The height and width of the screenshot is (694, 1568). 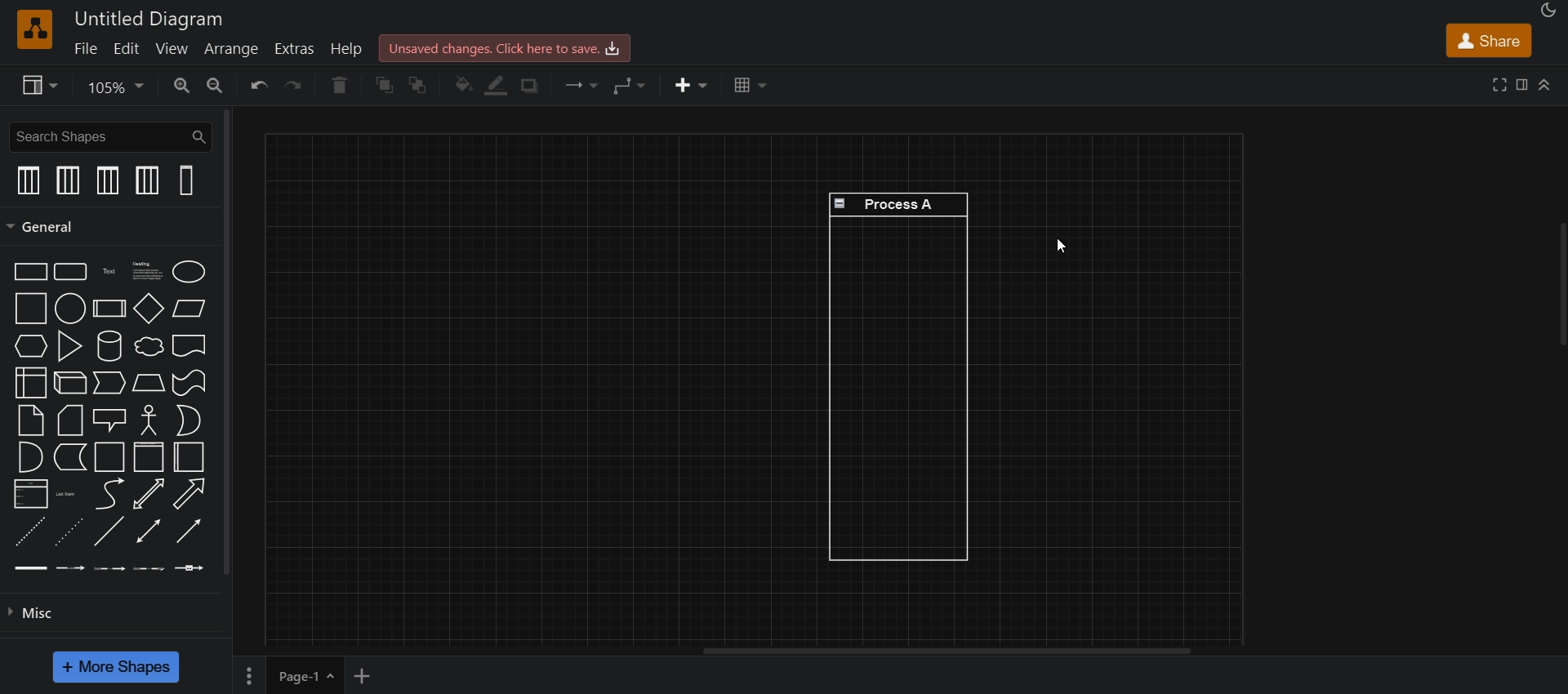 What do you see at coordinates (296, 87) in the screenshot?
I see `redo` at bounding box center [296, 87].